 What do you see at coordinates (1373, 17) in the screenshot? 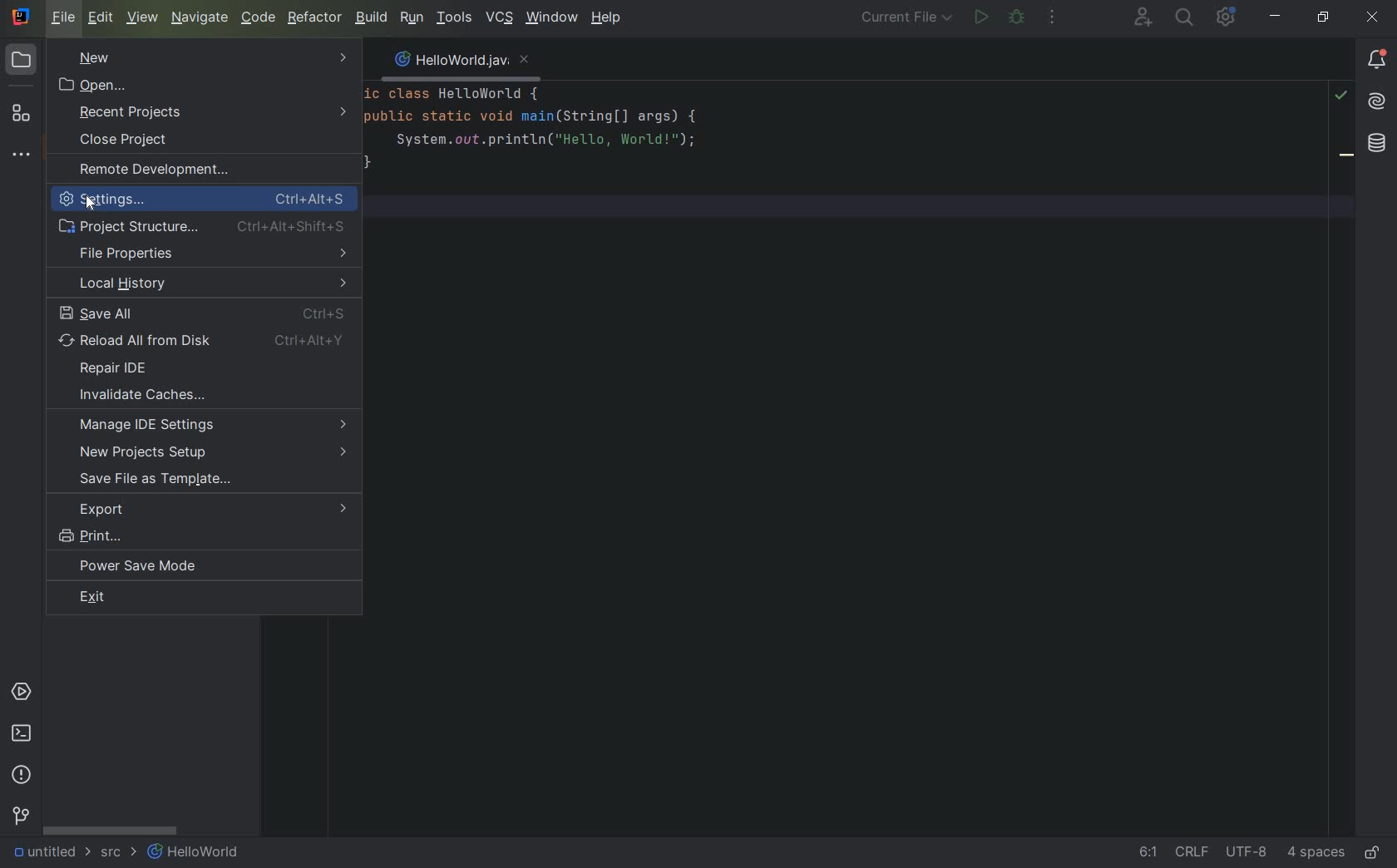
I see `close` at bounding box center [1373, 17].